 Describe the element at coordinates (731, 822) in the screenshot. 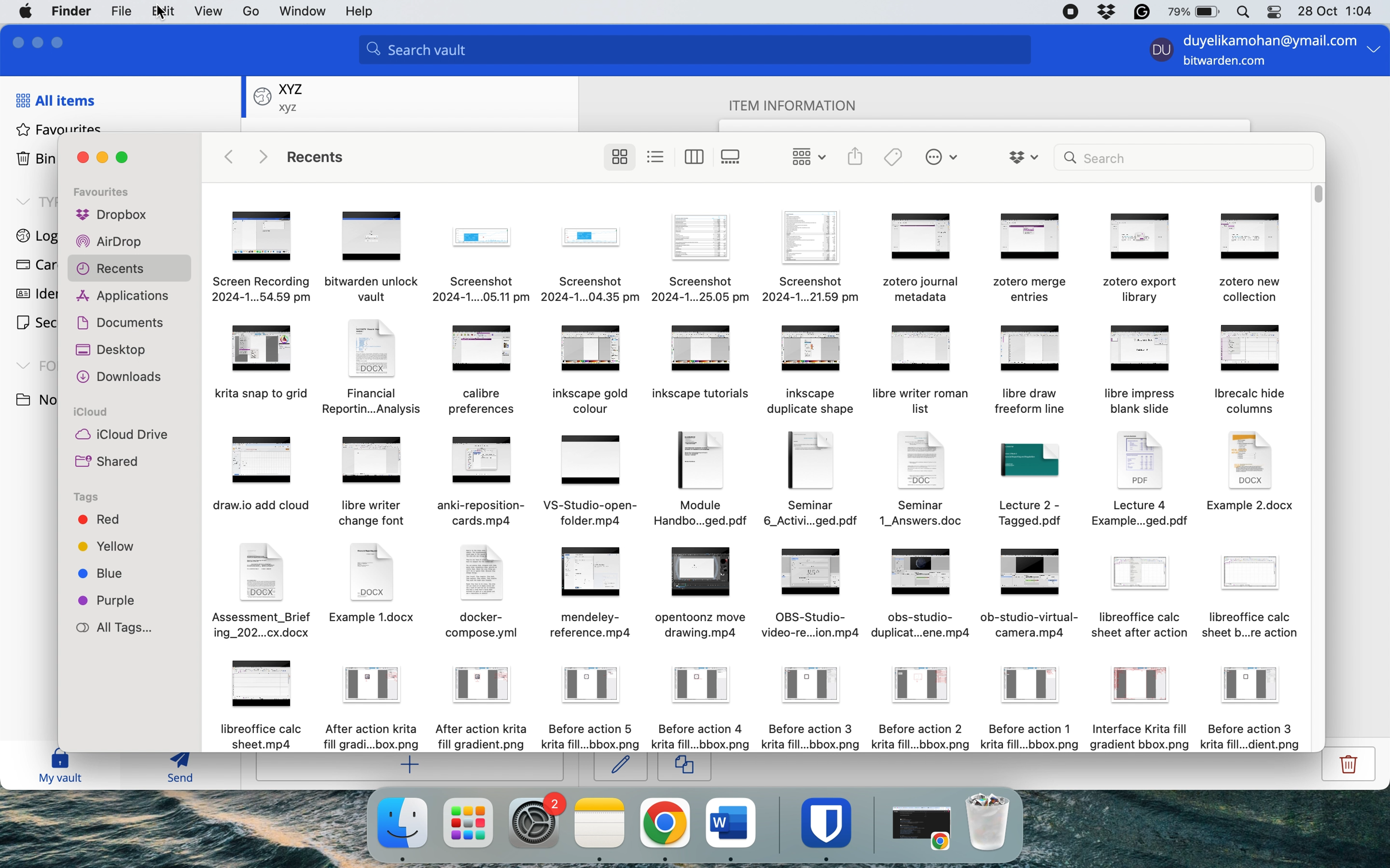

I see `ms word` at that location.